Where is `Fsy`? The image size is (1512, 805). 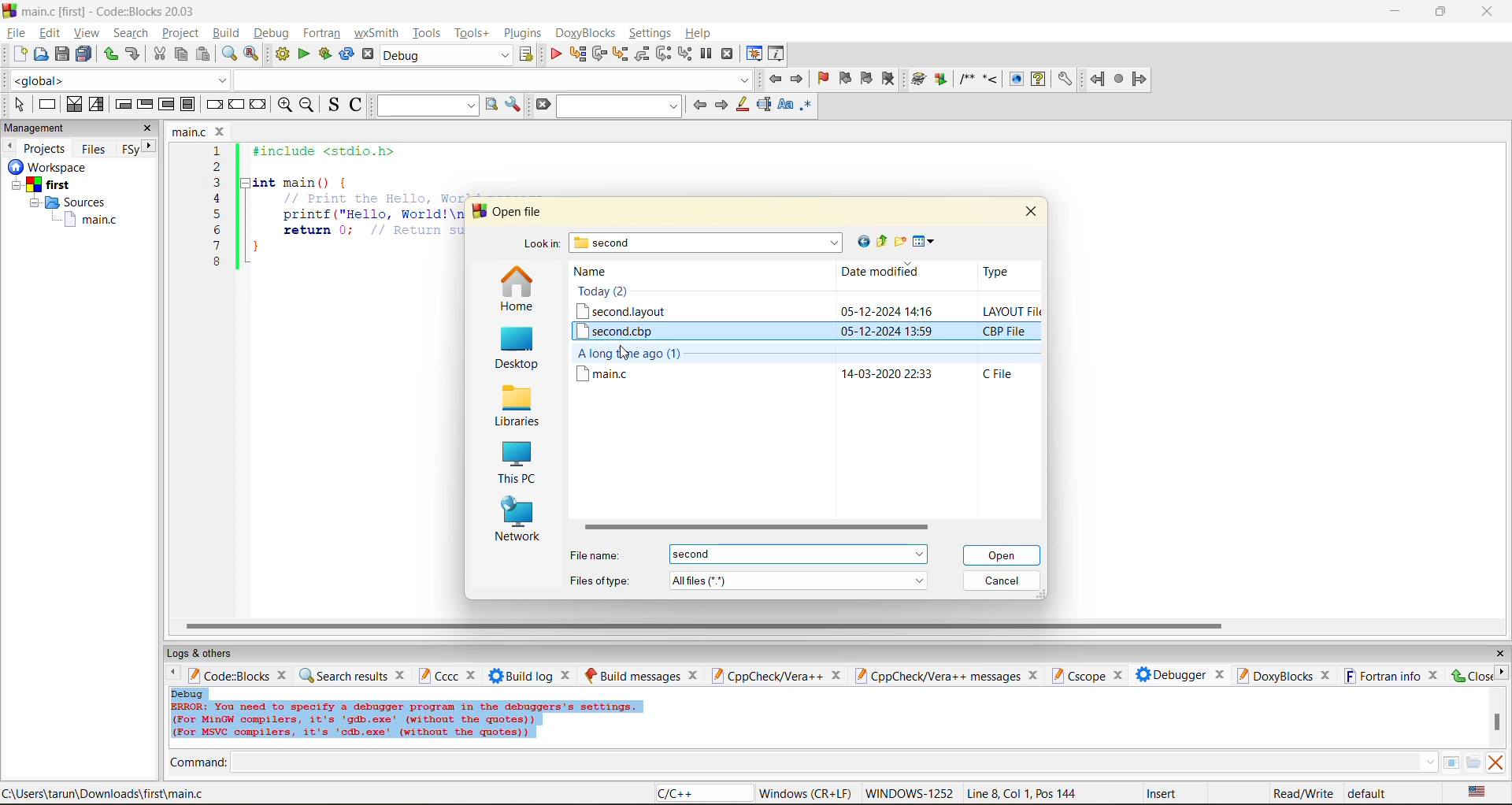
Fsy is located at coordinates (129, 150).